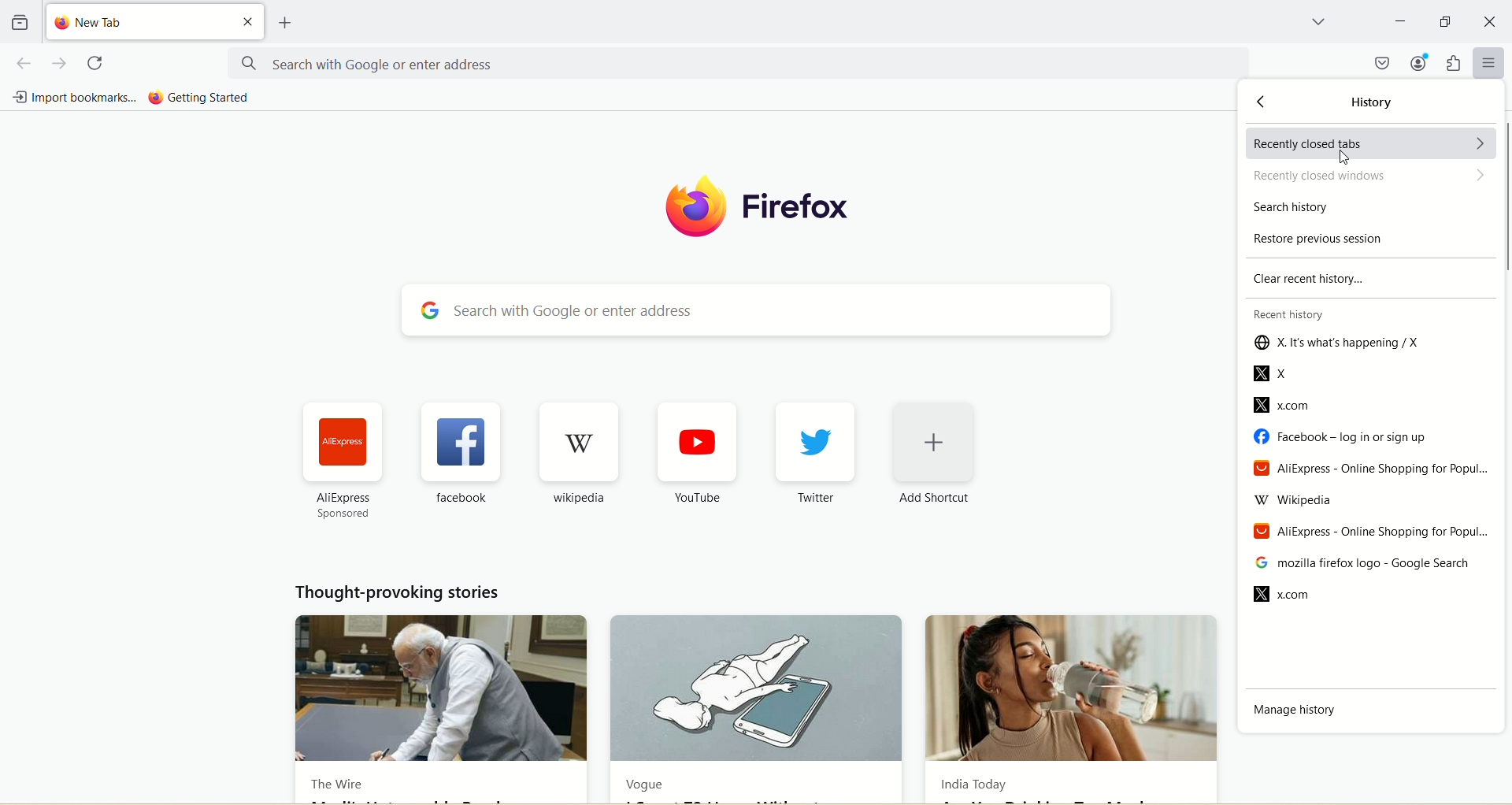  Describe the element at coordinates (1258, 106) in the screenshot. I see `back` at that location.